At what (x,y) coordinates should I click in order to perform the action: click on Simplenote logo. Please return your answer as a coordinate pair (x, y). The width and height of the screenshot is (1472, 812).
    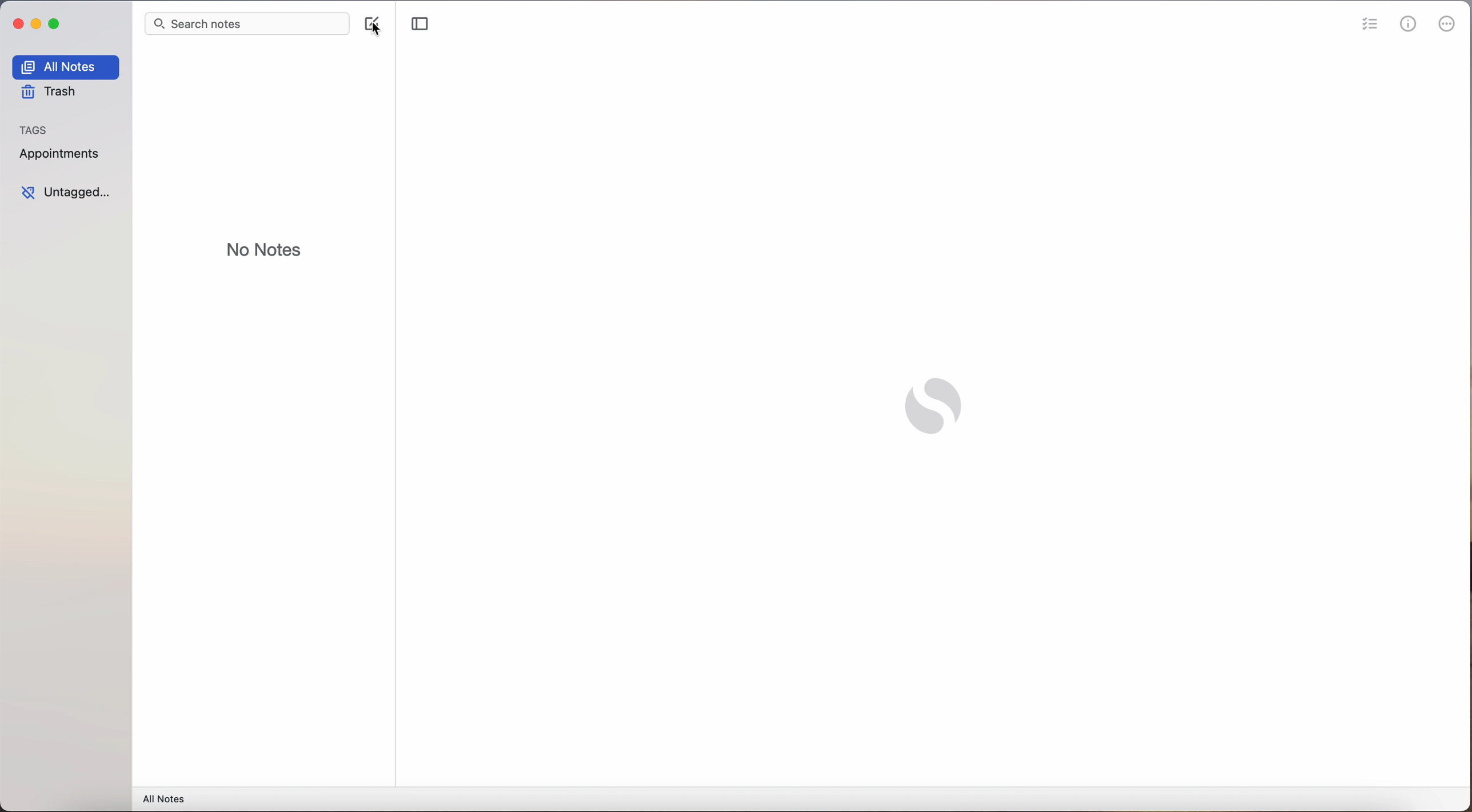
    Looking at the image, I should click on (935, 403).